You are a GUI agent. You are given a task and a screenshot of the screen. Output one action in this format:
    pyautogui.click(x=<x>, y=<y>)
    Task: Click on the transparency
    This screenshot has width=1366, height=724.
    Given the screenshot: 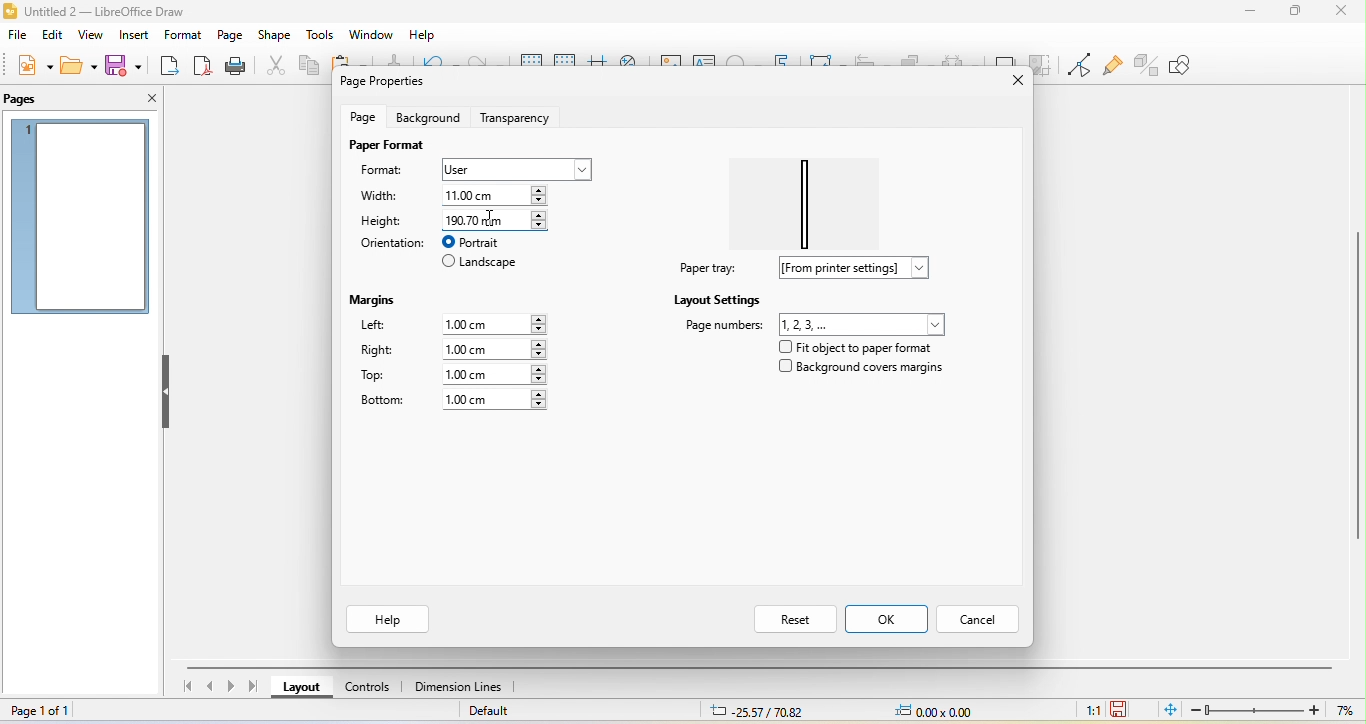 What is the action you would take?
    pyautogui.click(x=520, y=115)
    